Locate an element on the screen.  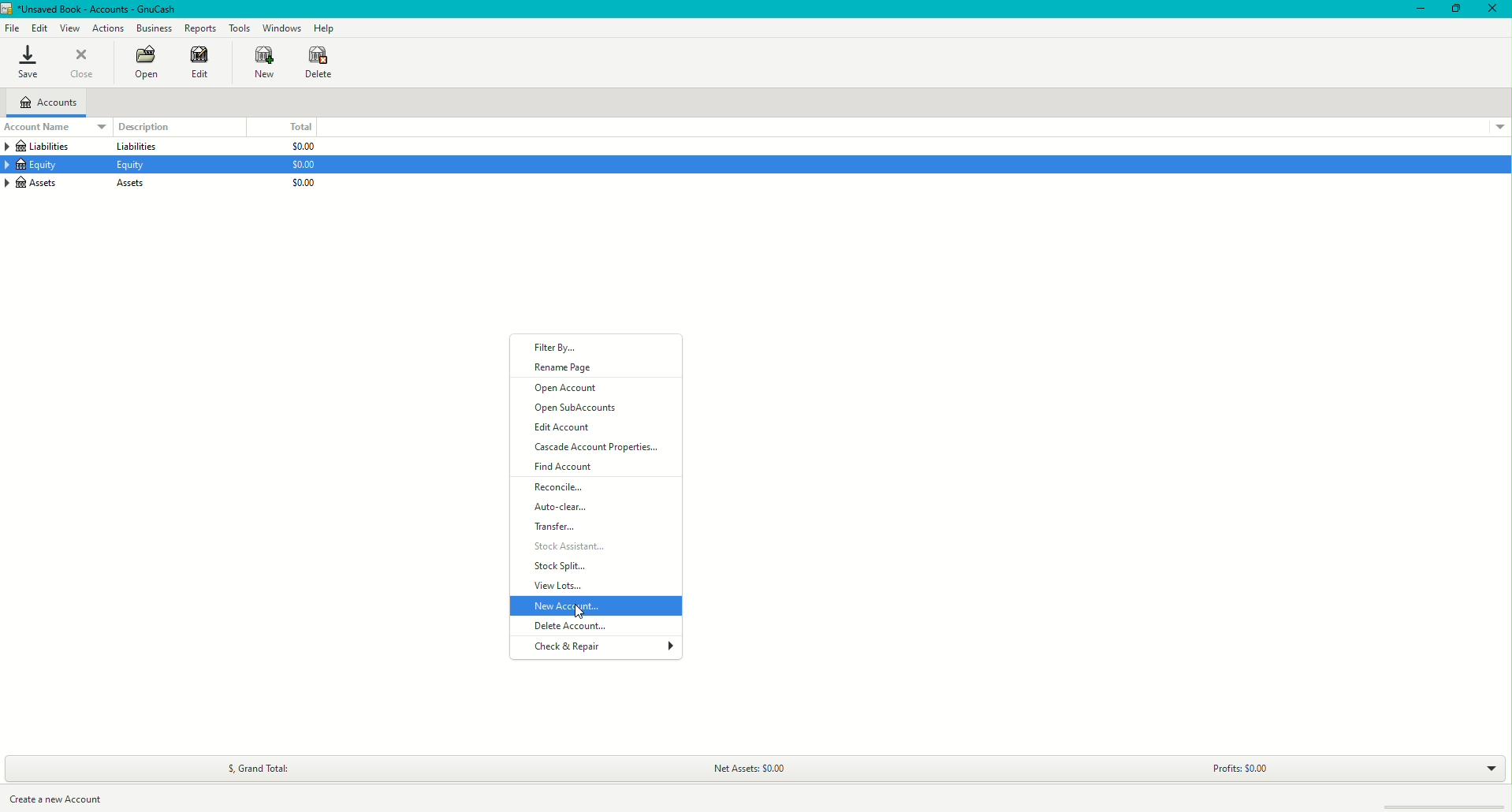
Profits is located at coordinates (1240, 765).